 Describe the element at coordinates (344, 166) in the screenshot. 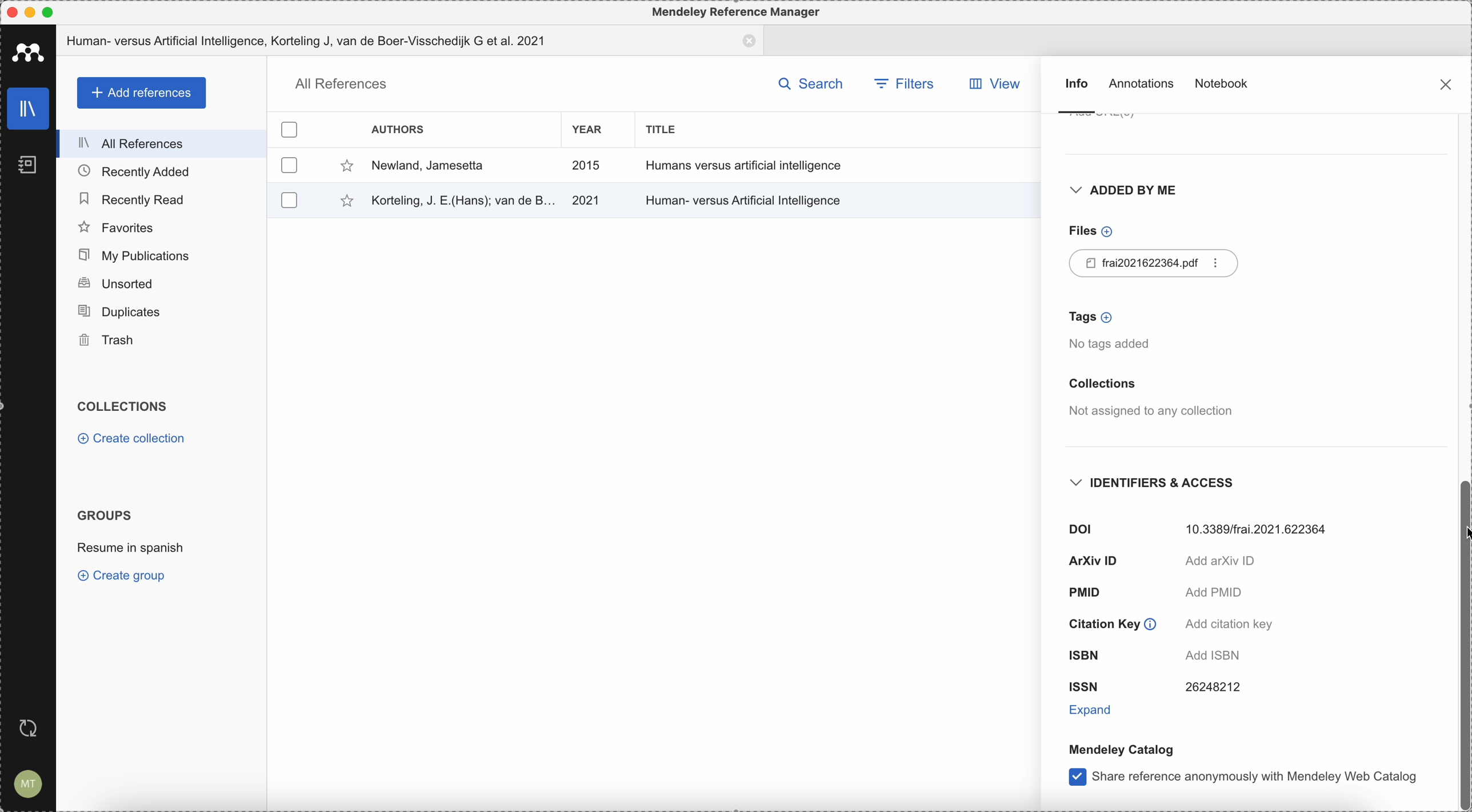

I see `favorite` at that location.